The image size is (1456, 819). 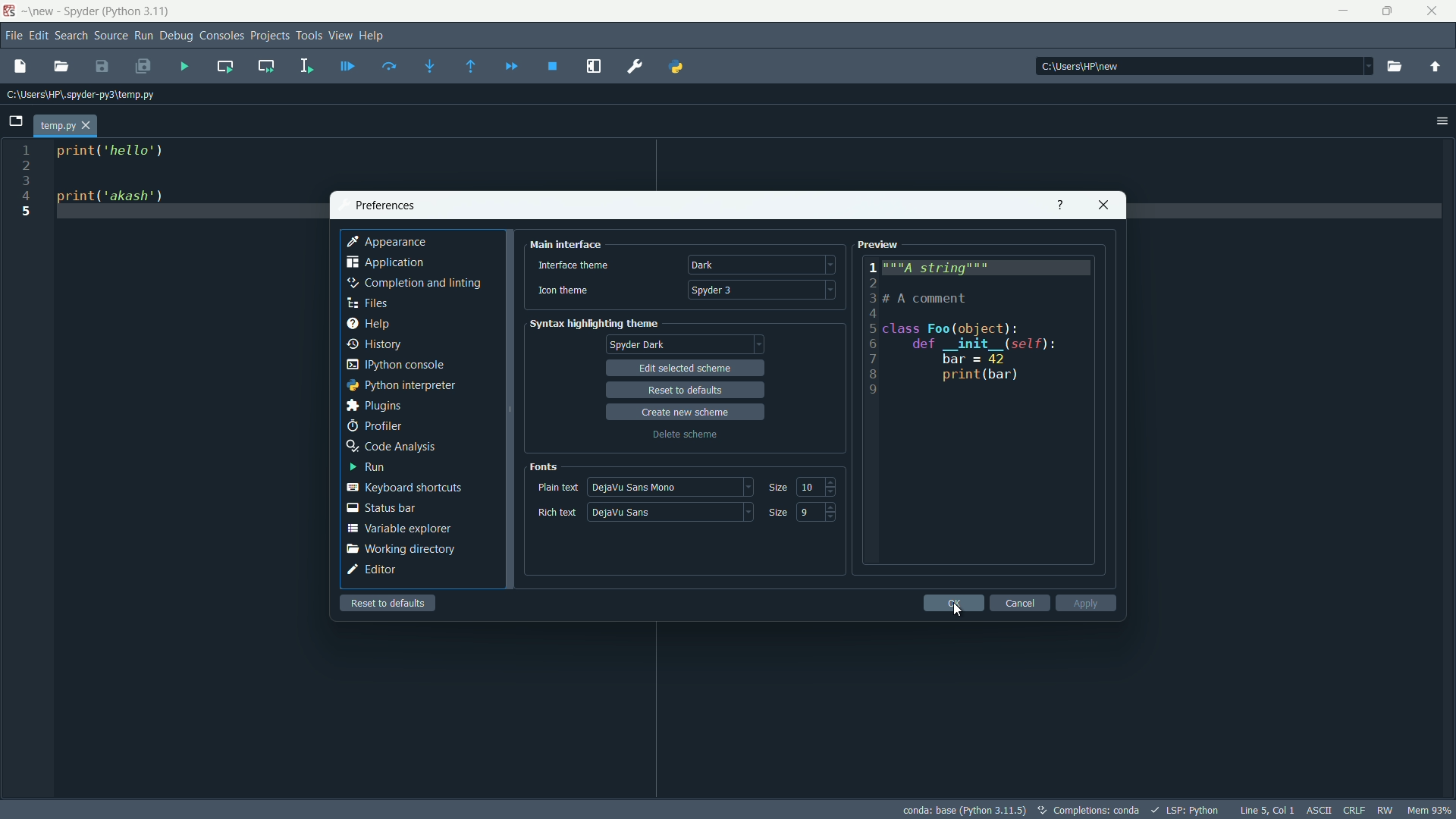 I want to click on preferences, so click(x=634, y=64).